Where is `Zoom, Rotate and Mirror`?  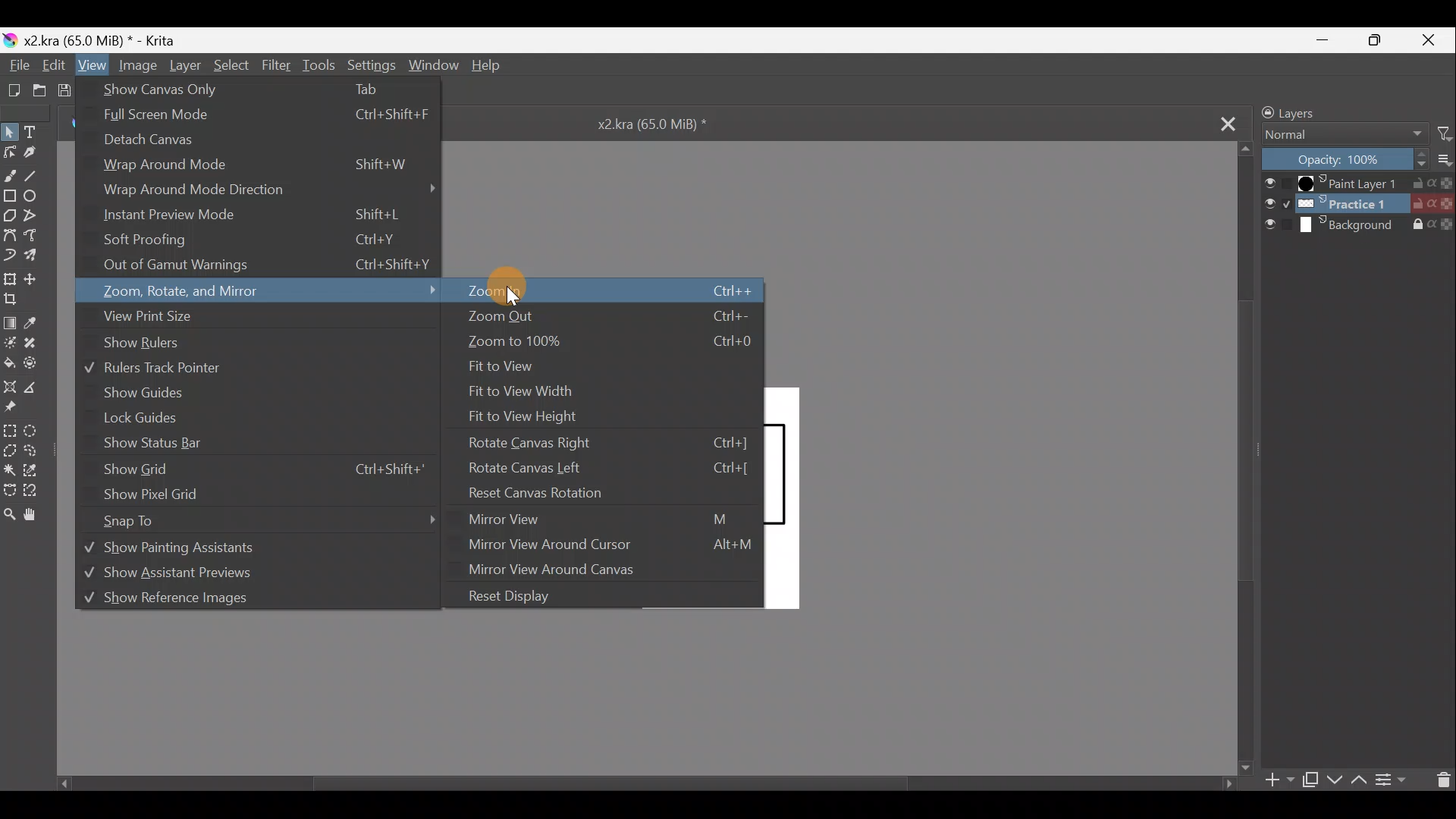 Zoom, Rotate and Mirror is located at coordinates (270, 293).